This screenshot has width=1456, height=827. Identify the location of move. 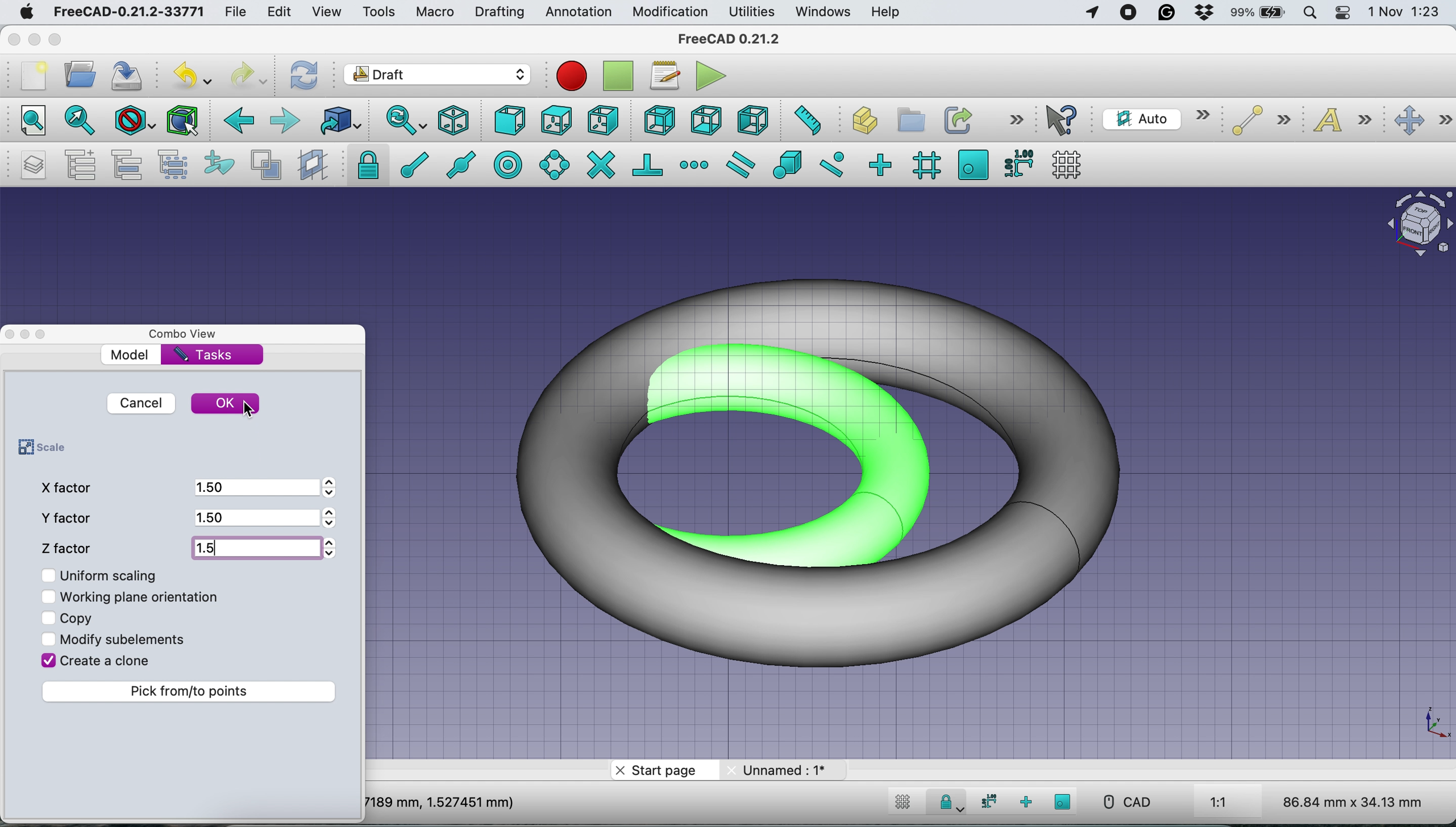
(1422, 121).